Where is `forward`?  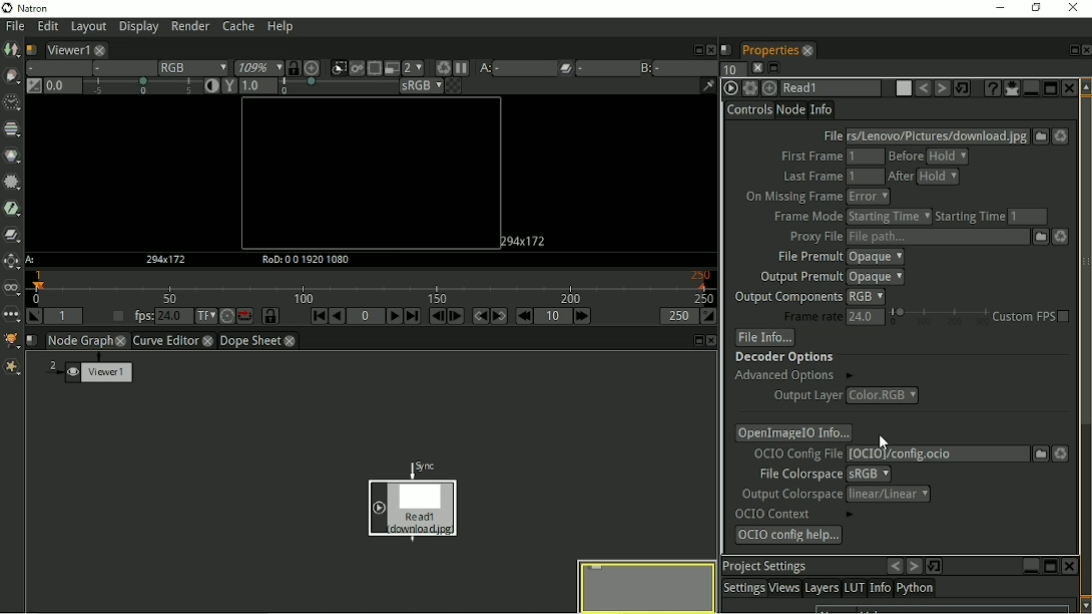
forward is located at coordinates (914, 567).